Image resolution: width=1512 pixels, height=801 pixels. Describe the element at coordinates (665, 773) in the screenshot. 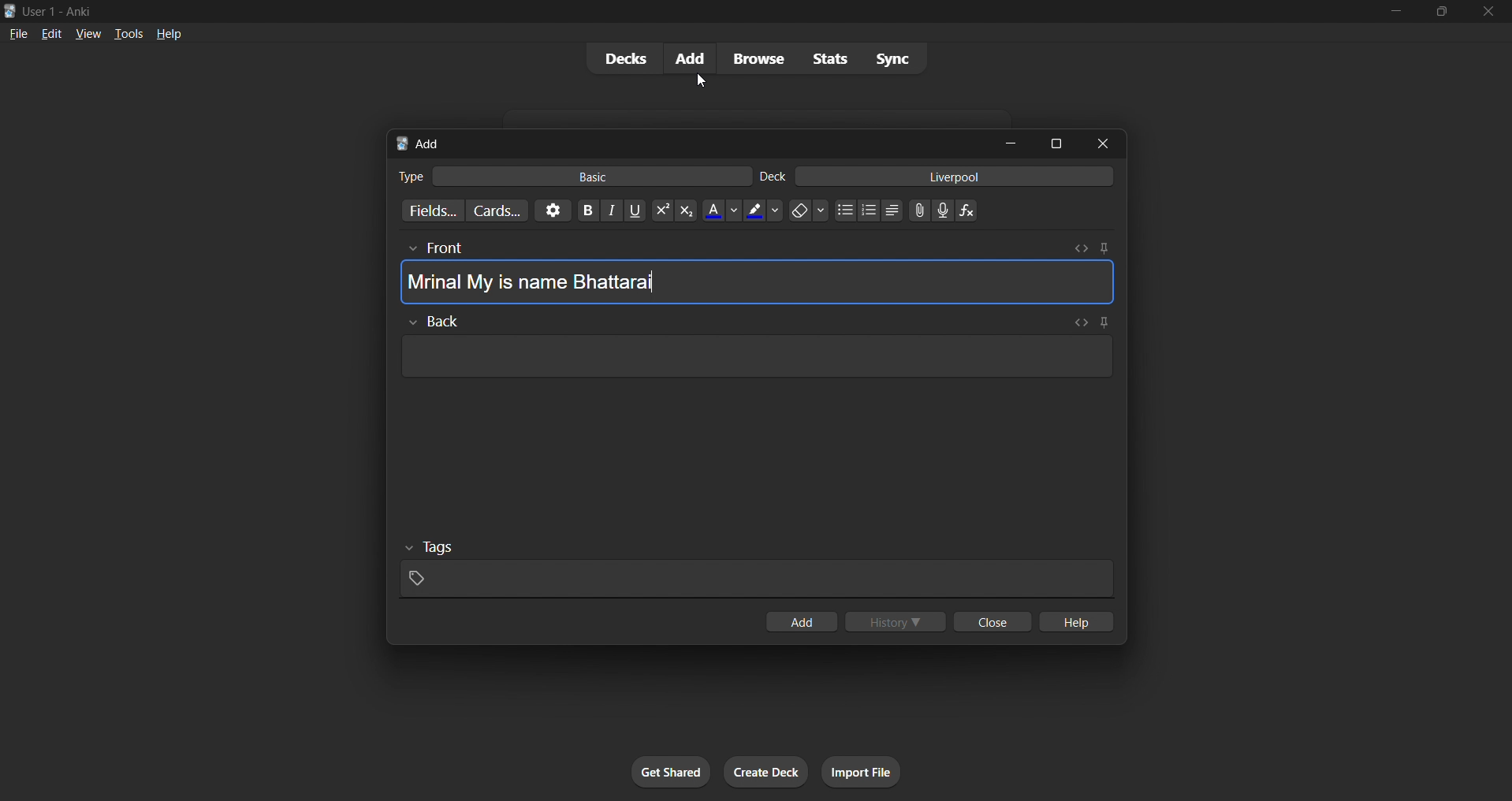

I see `get shared` at that location.